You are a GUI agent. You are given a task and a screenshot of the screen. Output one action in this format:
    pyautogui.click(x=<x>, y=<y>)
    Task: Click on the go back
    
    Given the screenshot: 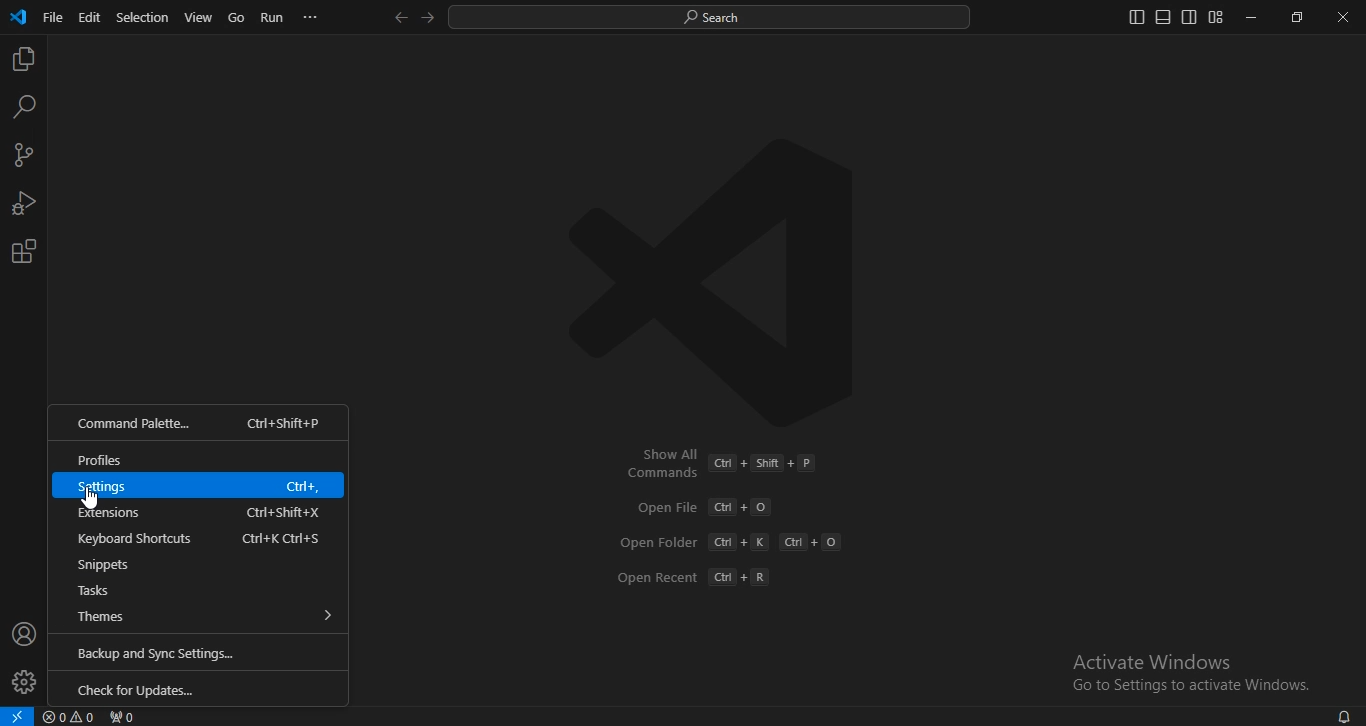 What is the action you would take?
    pyautogui.click(x=400, y=18)
    